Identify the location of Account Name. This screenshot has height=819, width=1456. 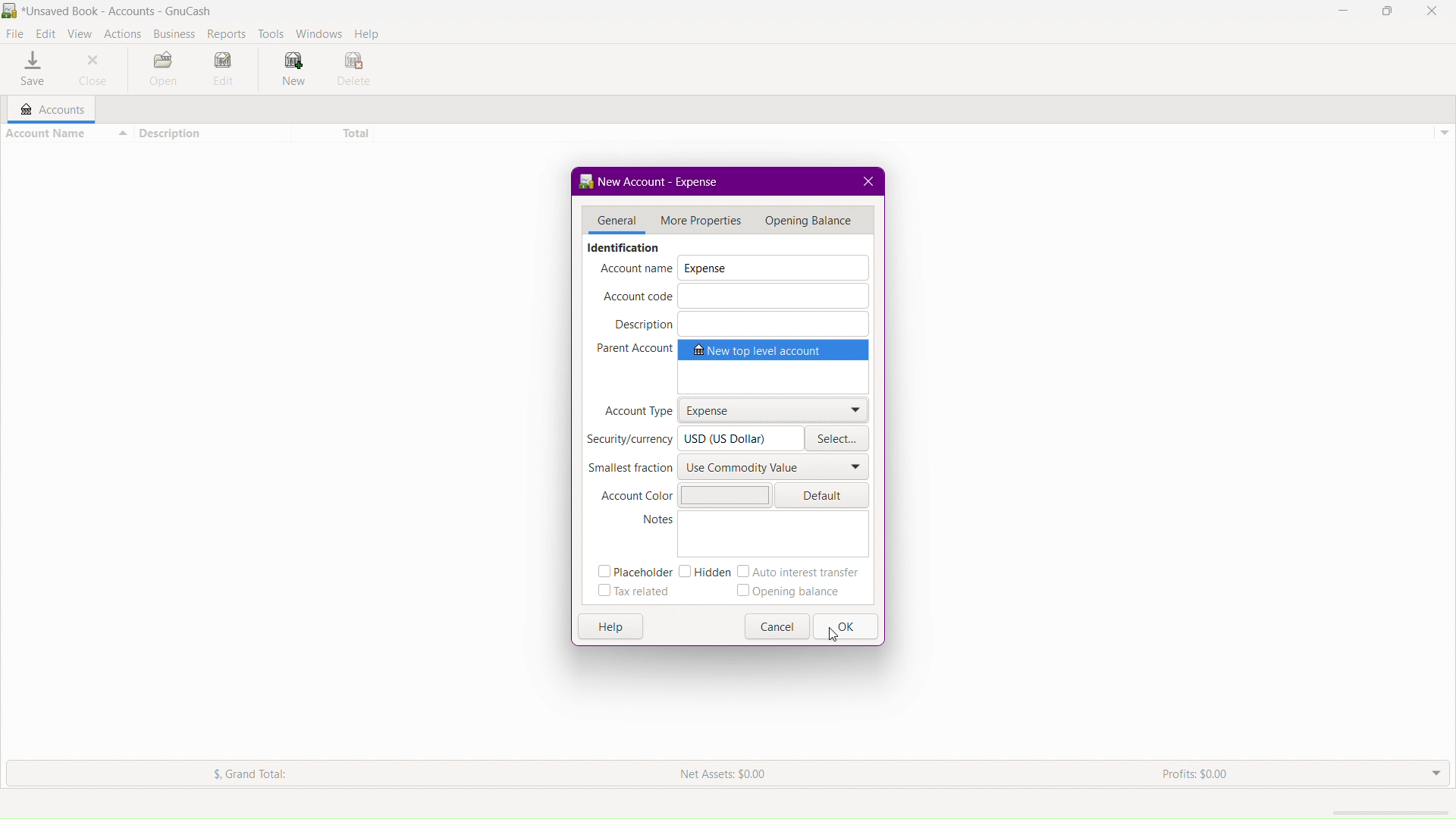
(735, 269).